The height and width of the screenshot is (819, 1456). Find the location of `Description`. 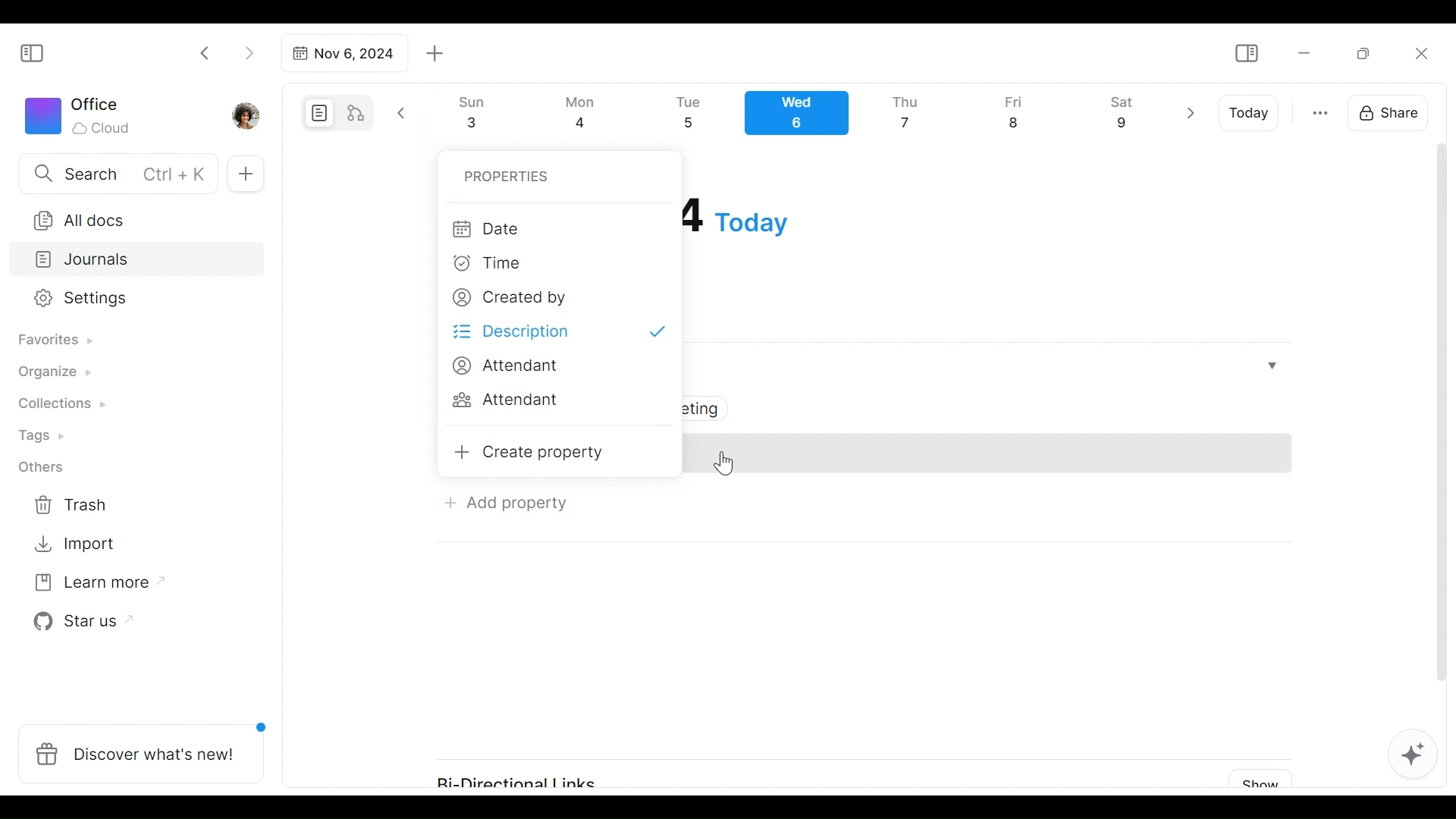

Description is located at coordinates (557, 330).